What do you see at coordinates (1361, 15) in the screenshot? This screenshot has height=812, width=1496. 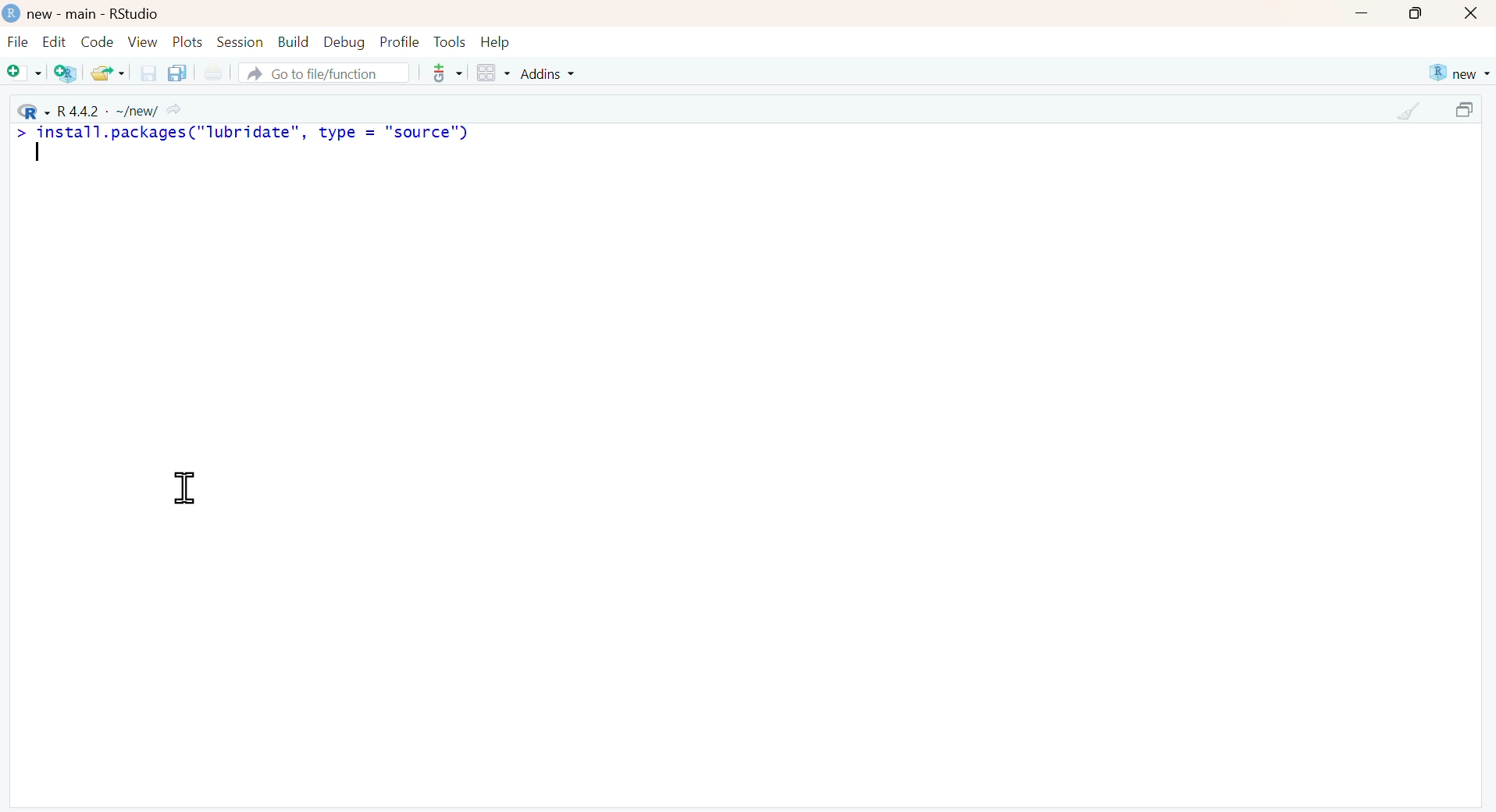 I see `minimize` at bounding box center [1361, 15].